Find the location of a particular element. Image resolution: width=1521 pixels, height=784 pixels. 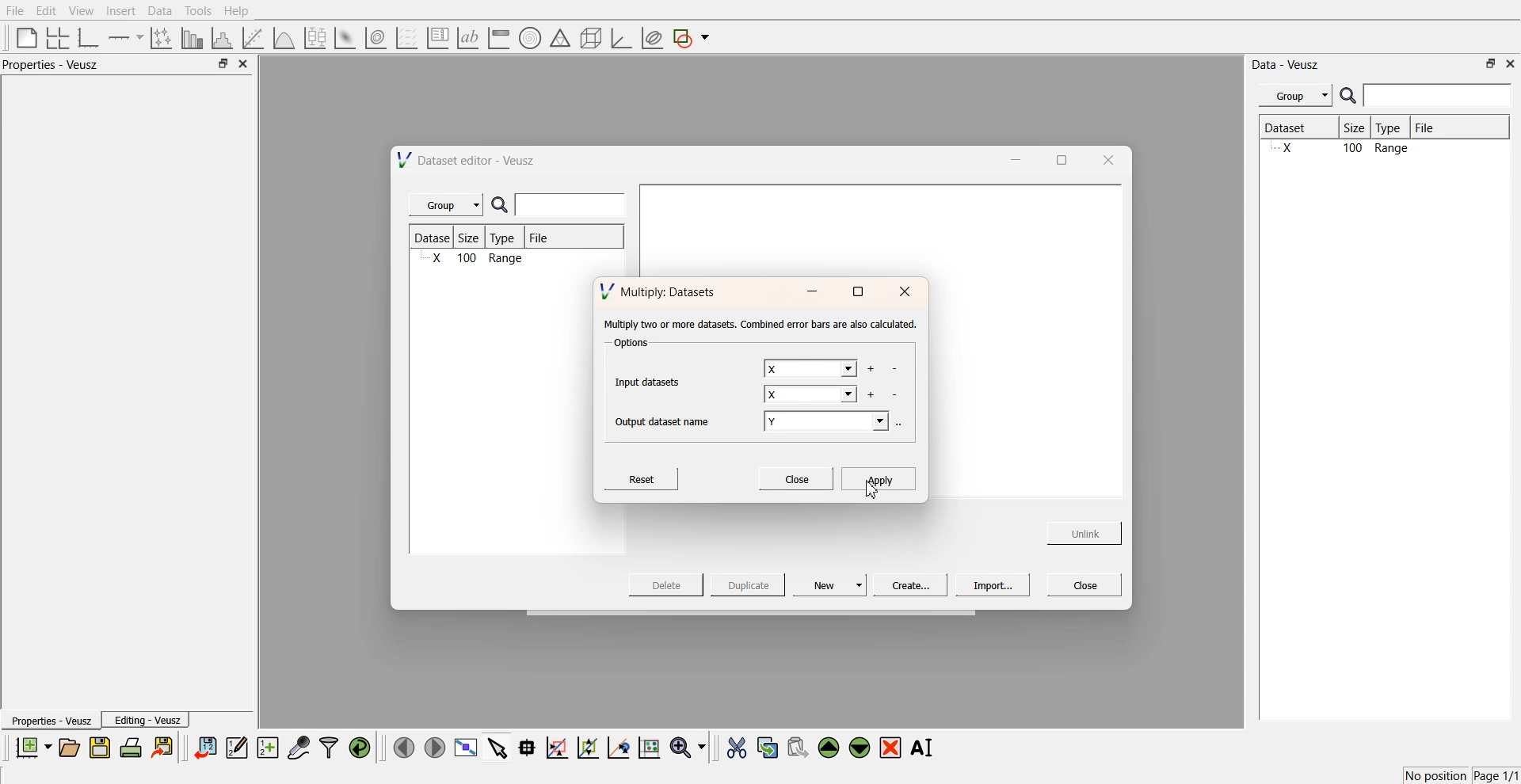

Apply is located at coordinates (879, 478).